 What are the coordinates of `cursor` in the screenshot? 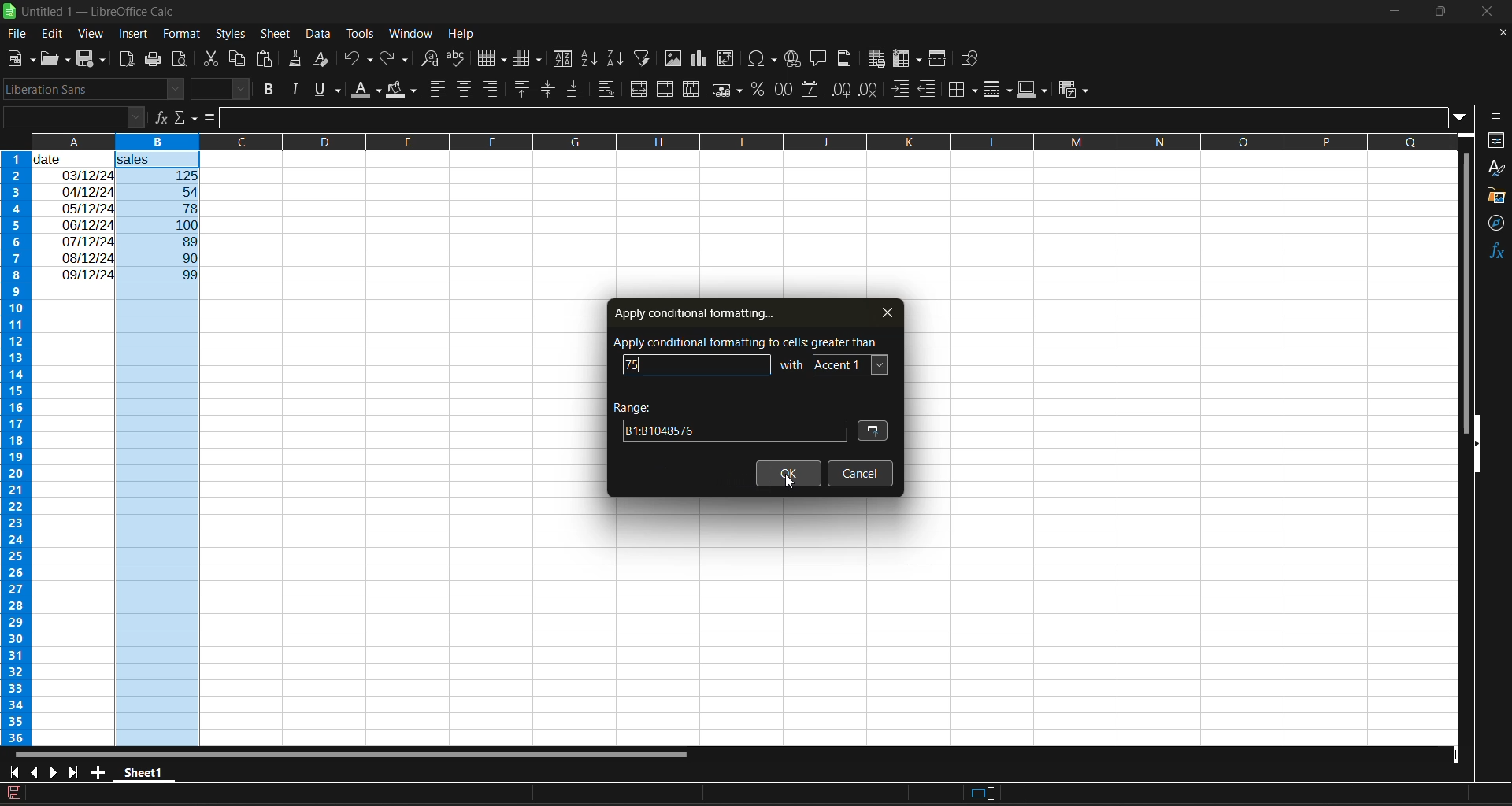 It's located at (792, 486).